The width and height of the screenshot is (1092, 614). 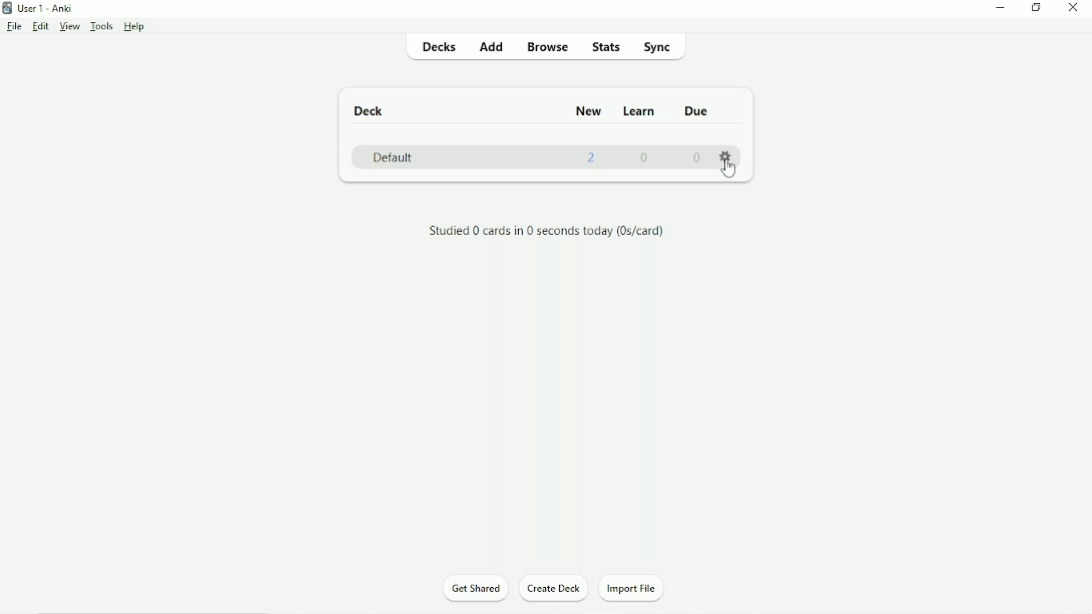 I want to click on 0, so click(x=697, y=157).